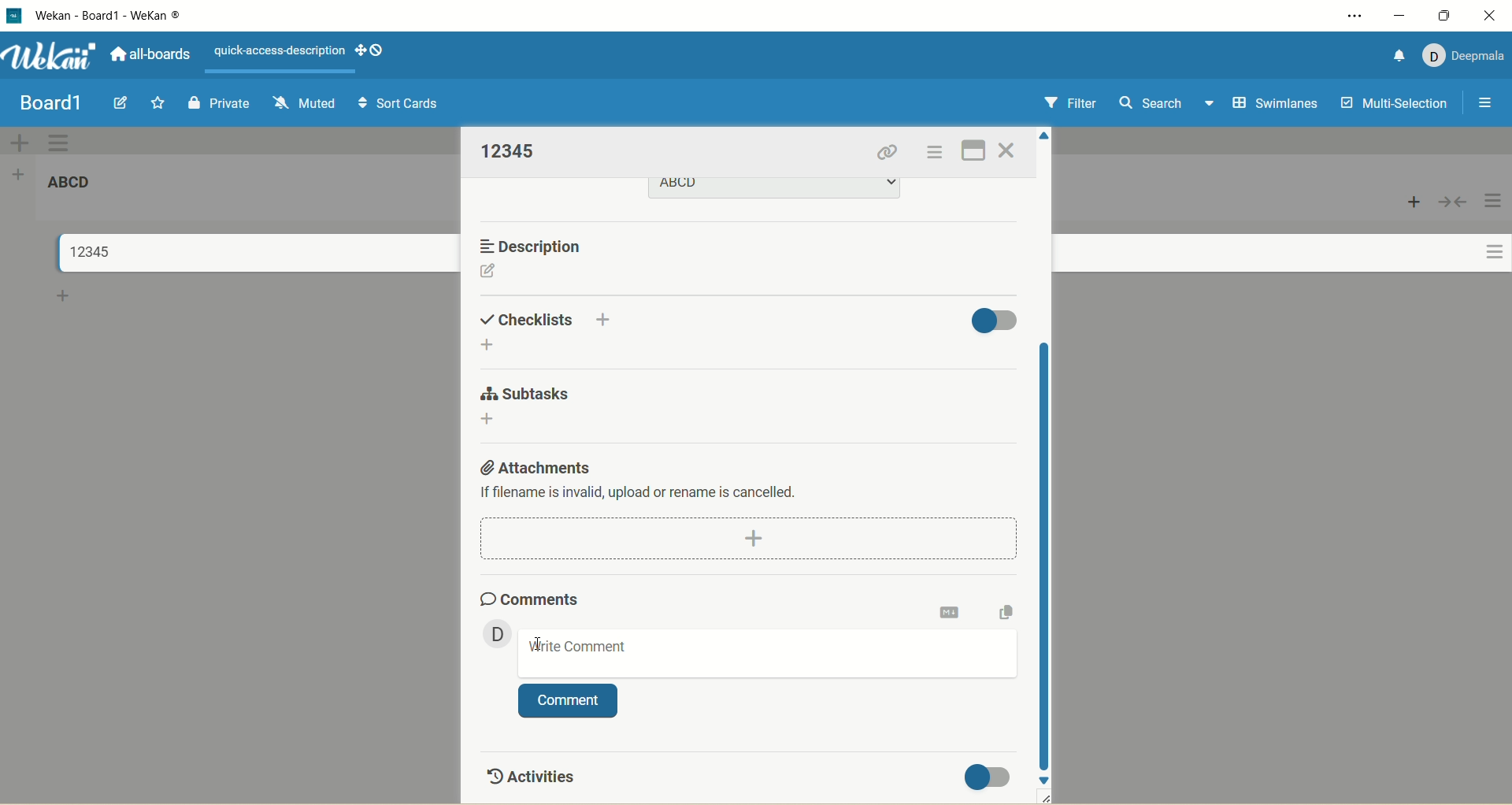  Describe the element at coordinates (492, 632) in the screenshot. I see `member` at that location.